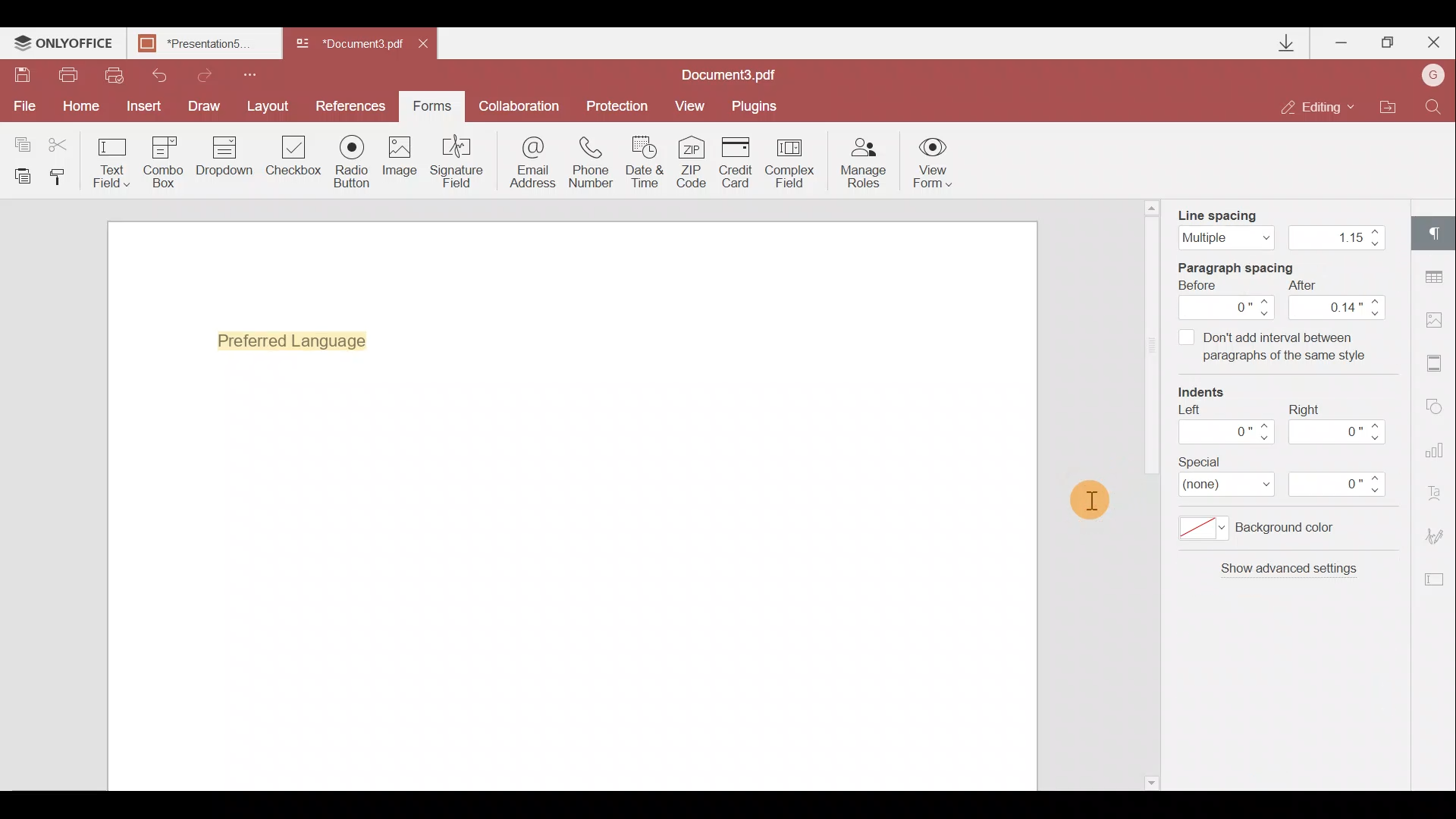 This screenshot has height=819, width=1456. I want to click on Drop down, so click(224, 158).